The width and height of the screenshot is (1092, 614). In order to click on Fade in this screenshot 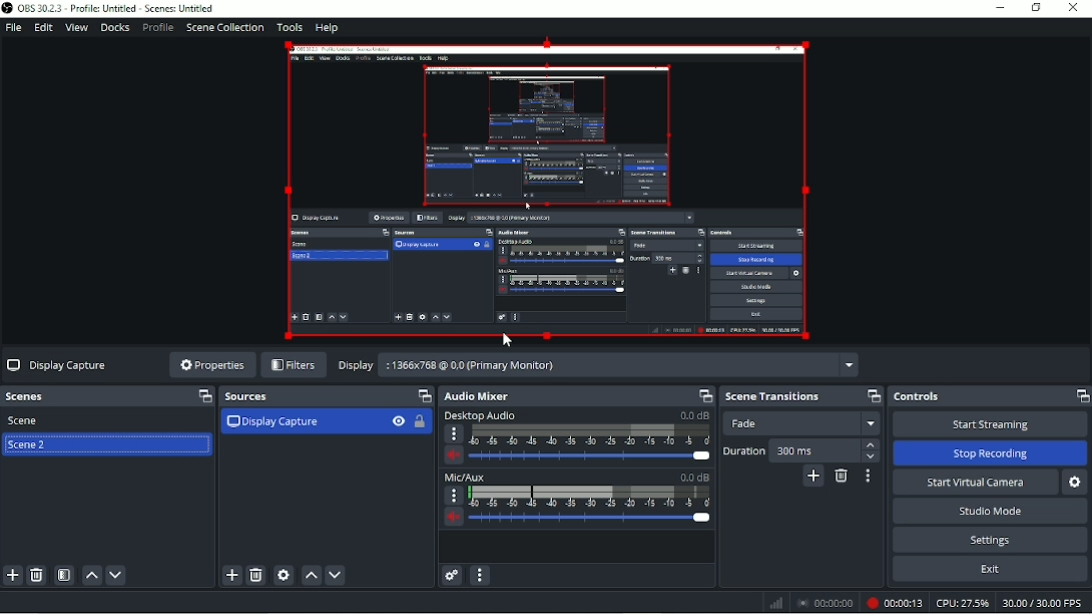, I will do `click(805, 424)`.